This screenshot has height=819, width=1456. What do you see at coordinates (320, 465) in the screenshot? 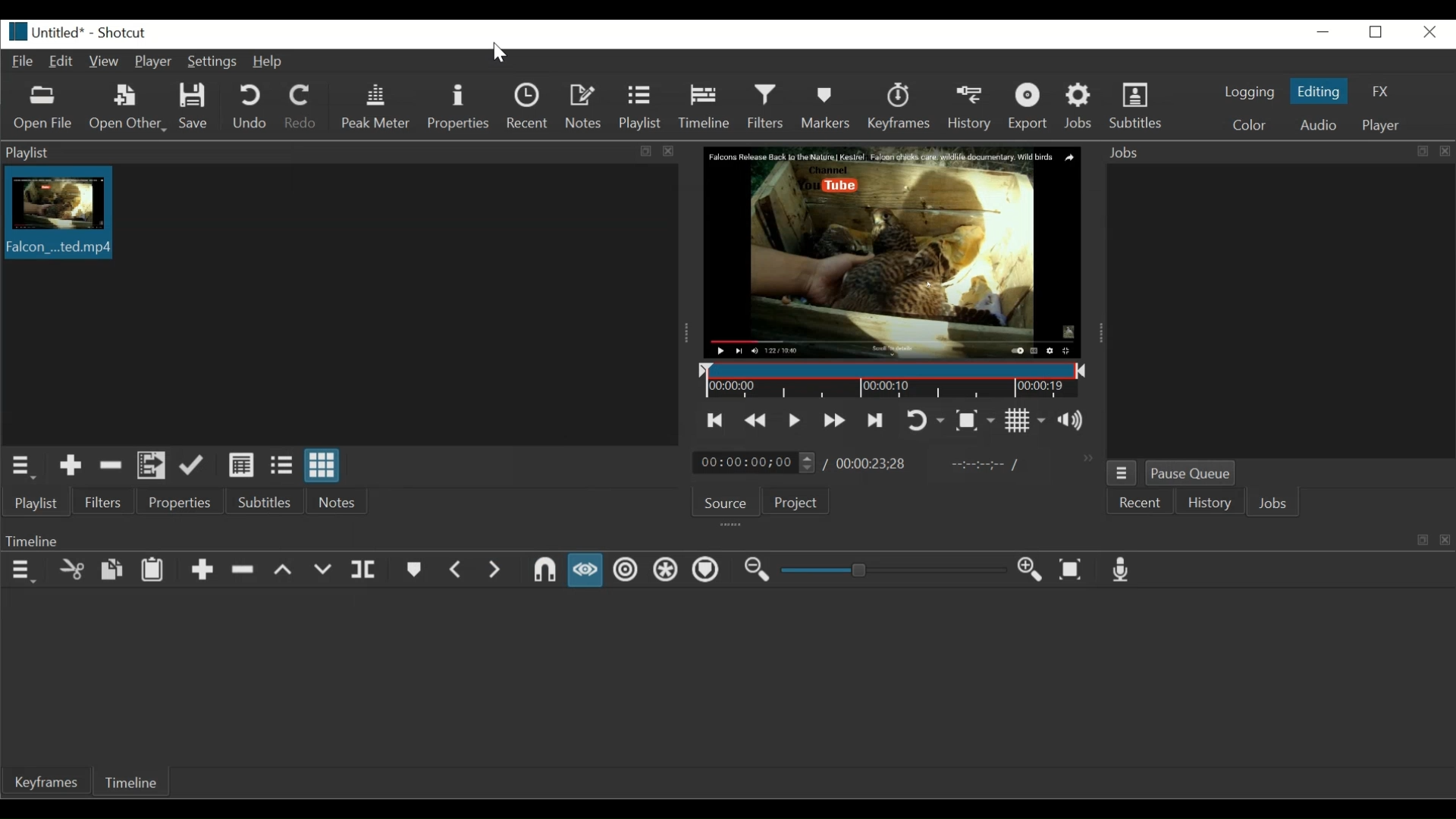
I see `View as icons` at bounding box center [320, 465].